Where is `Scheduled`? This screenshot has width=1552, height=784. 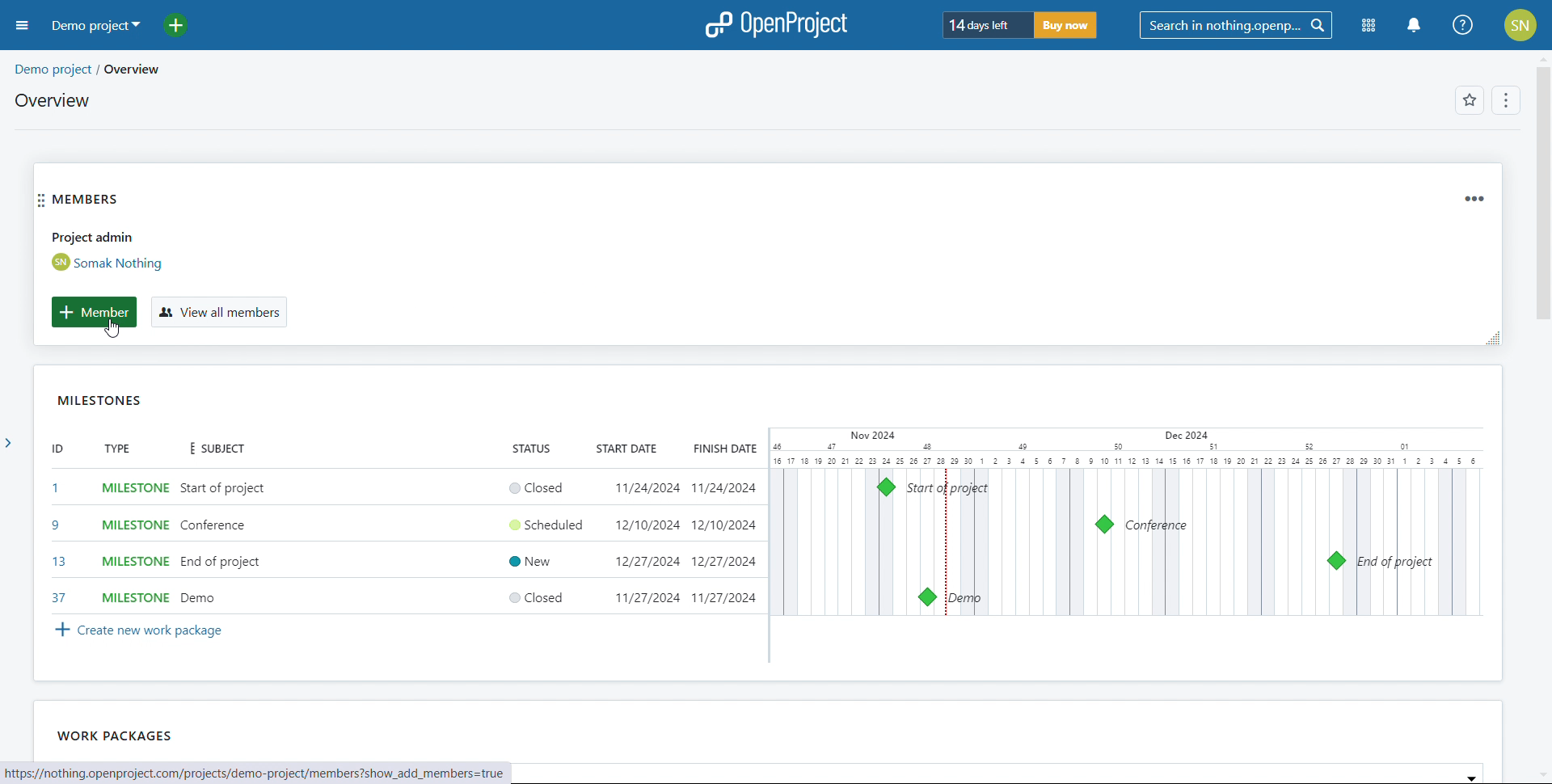 Scheduled is located at coordinates (550, 525).